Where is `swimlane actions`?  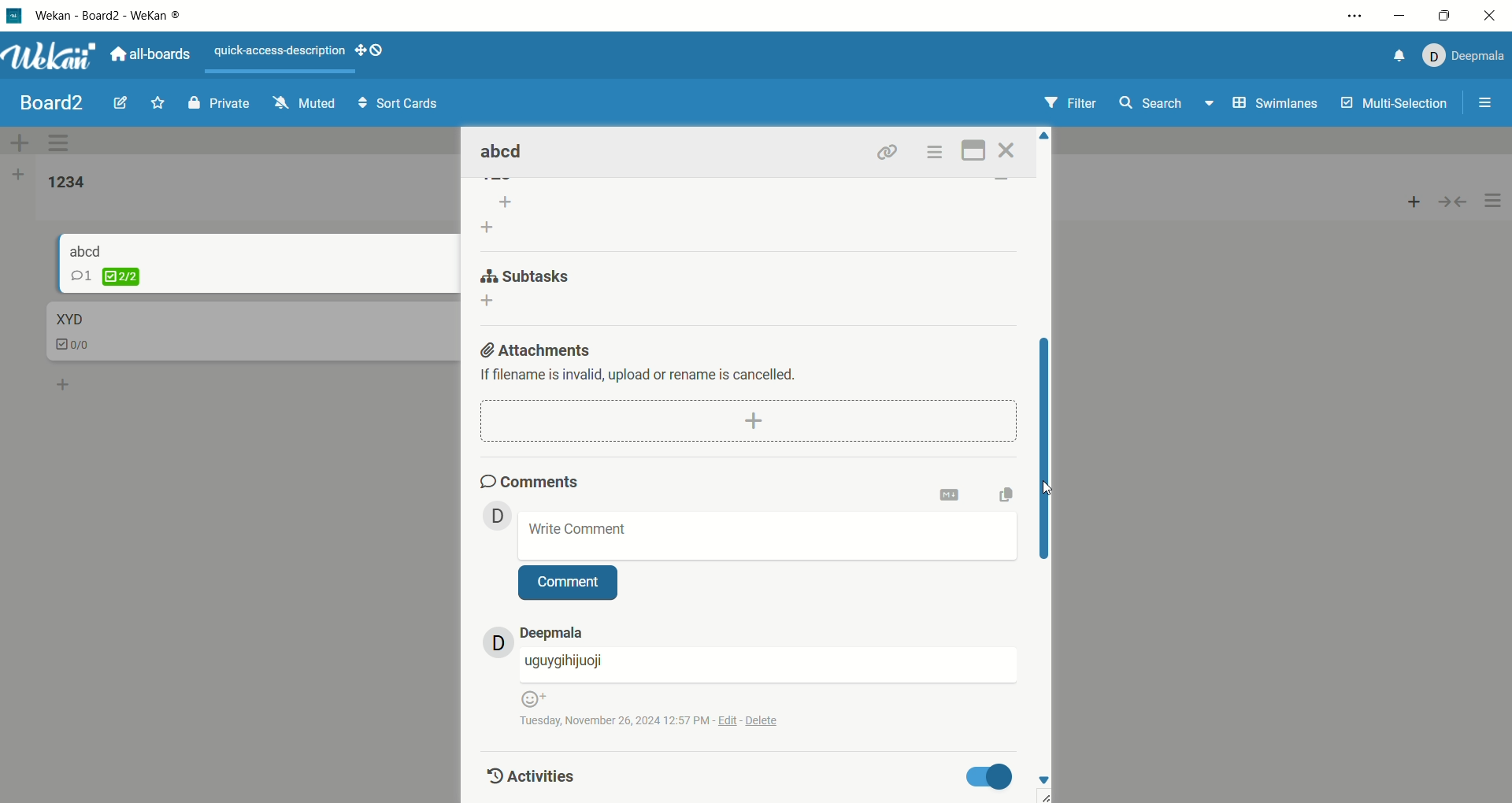 swimlane actions is located at coordinates (62, 144).